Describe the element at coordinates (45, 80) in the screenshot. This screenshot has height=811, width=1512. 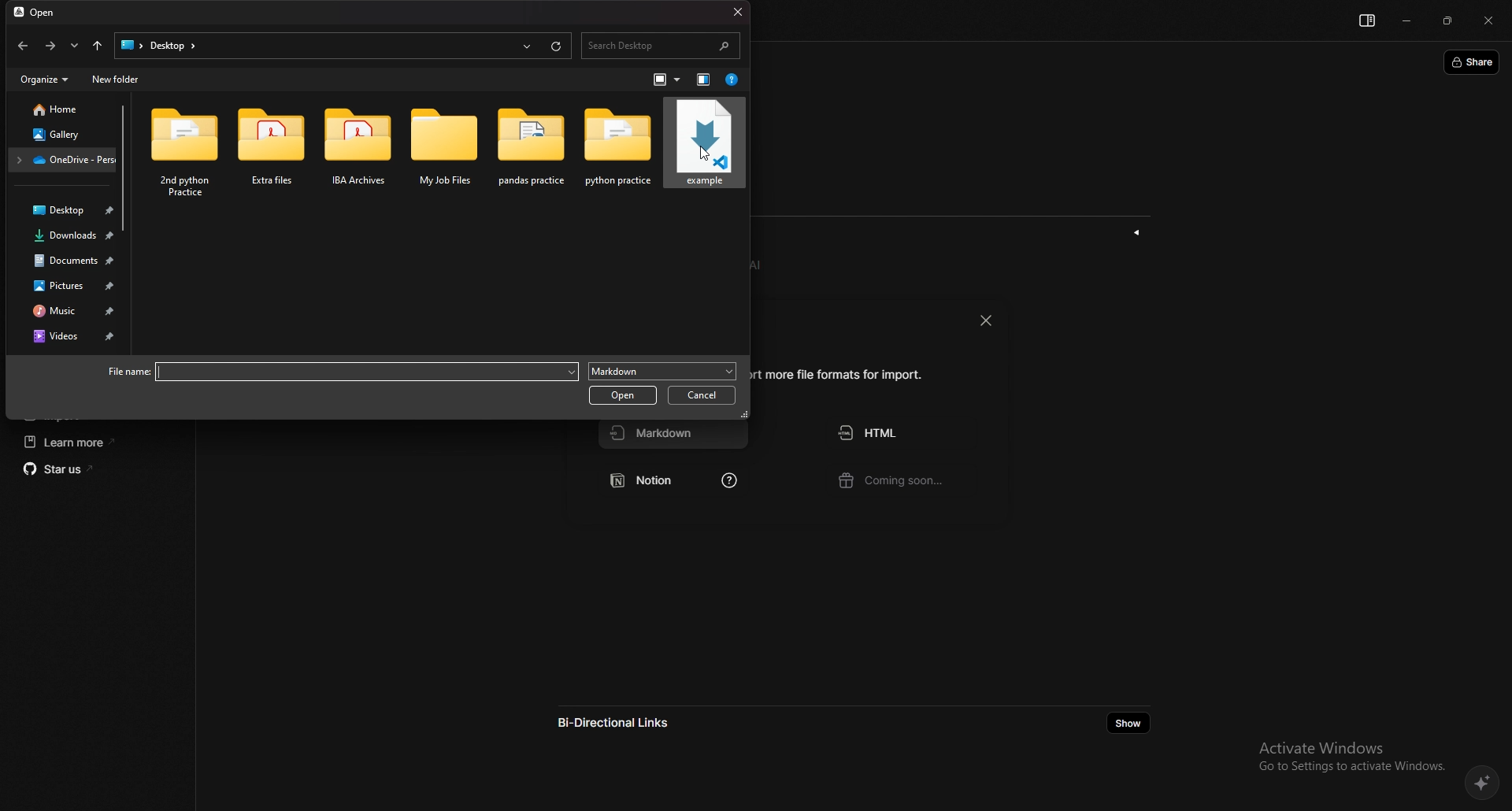
I see `organize` at that location.